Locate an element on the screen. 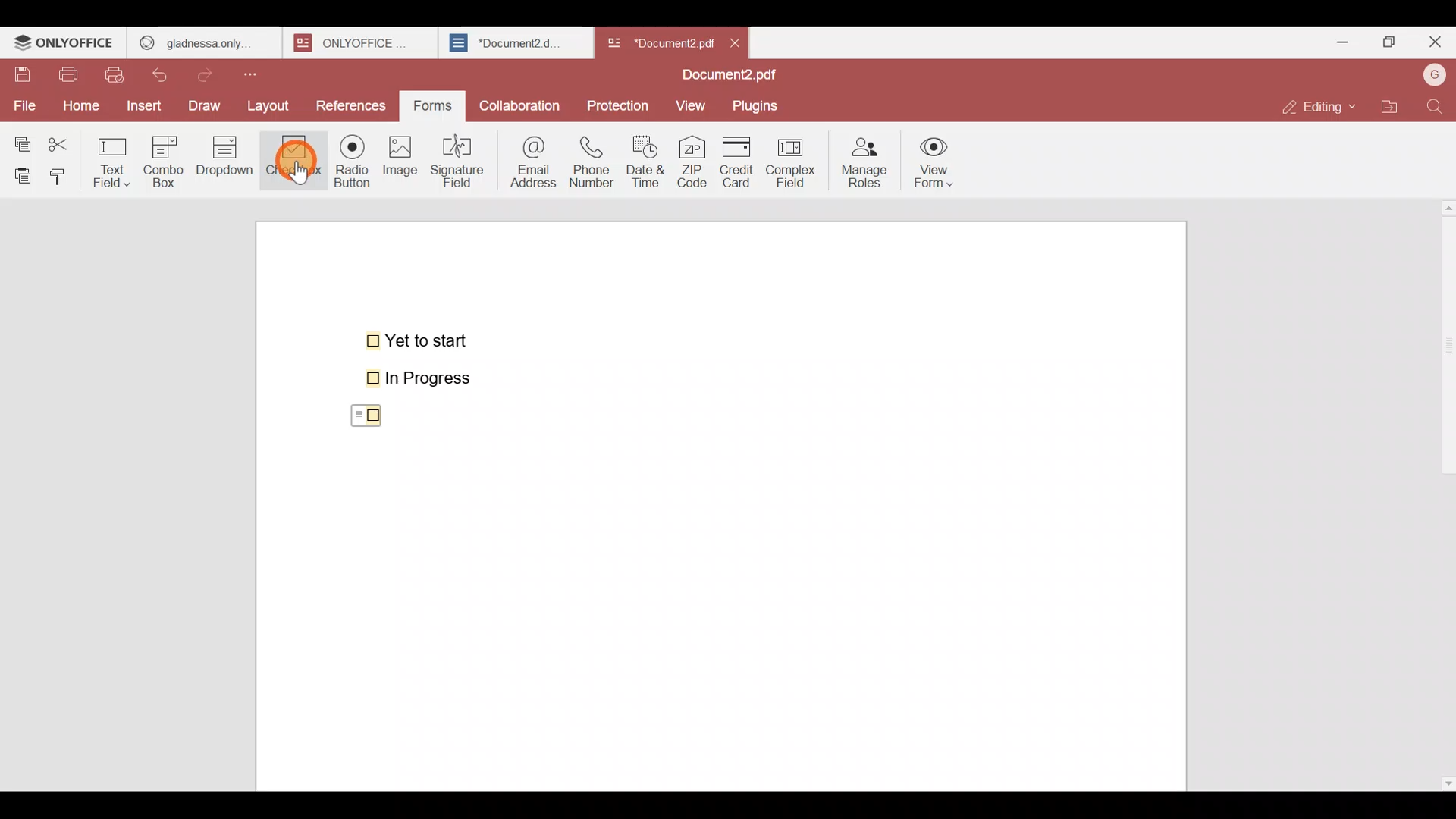 The height and width of the screenshot is (819, 1456). Phone number is located at coordinates (593, 162).